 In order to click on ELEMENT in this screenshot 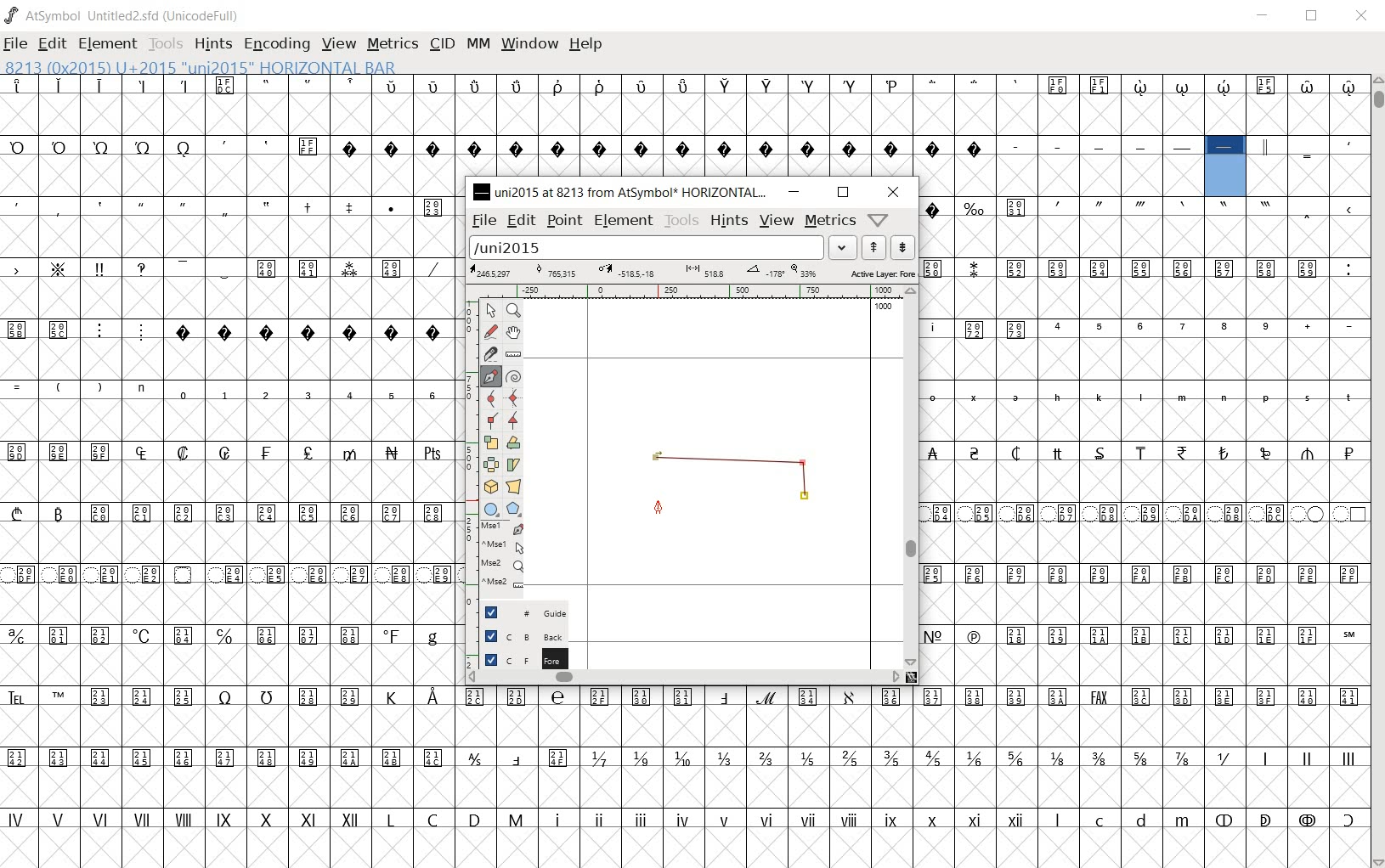, I will do `click(109, 43)`.